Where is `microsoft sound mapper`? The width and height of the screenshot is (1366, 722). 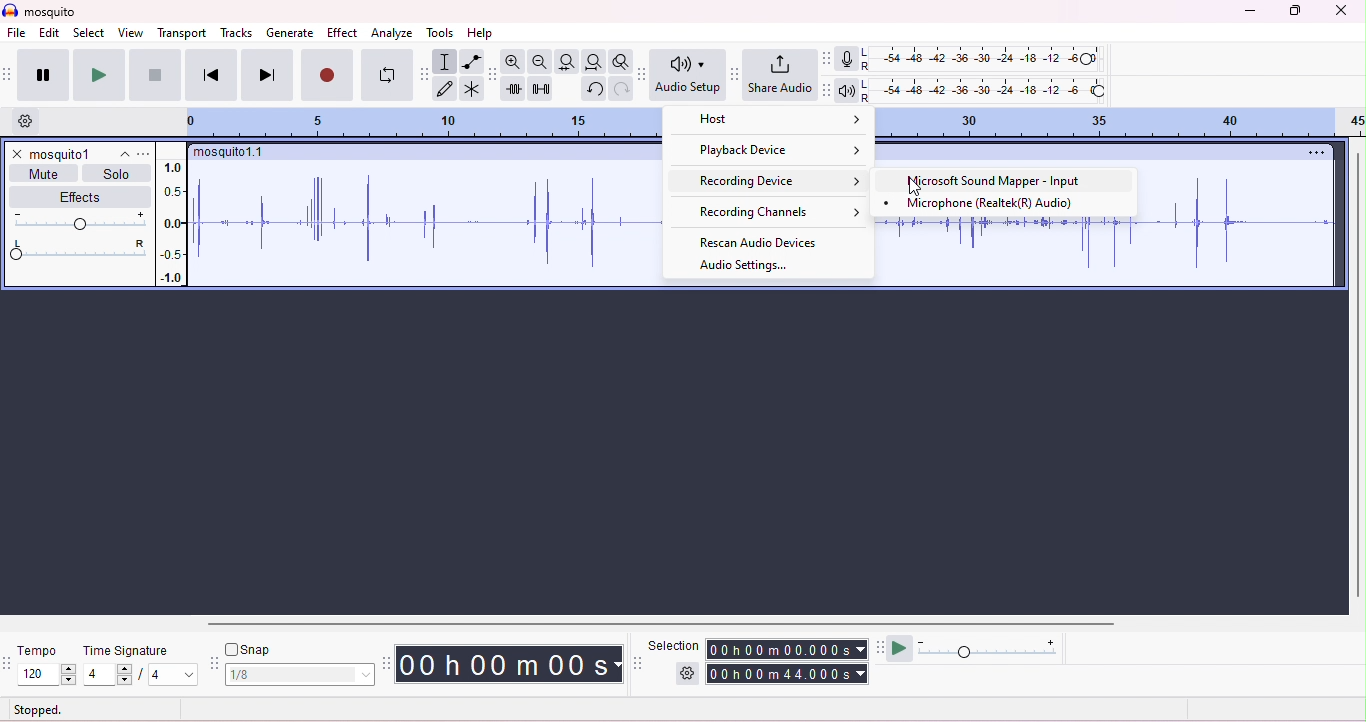 microsoft sound mapper is located at coordinates (998, 182).